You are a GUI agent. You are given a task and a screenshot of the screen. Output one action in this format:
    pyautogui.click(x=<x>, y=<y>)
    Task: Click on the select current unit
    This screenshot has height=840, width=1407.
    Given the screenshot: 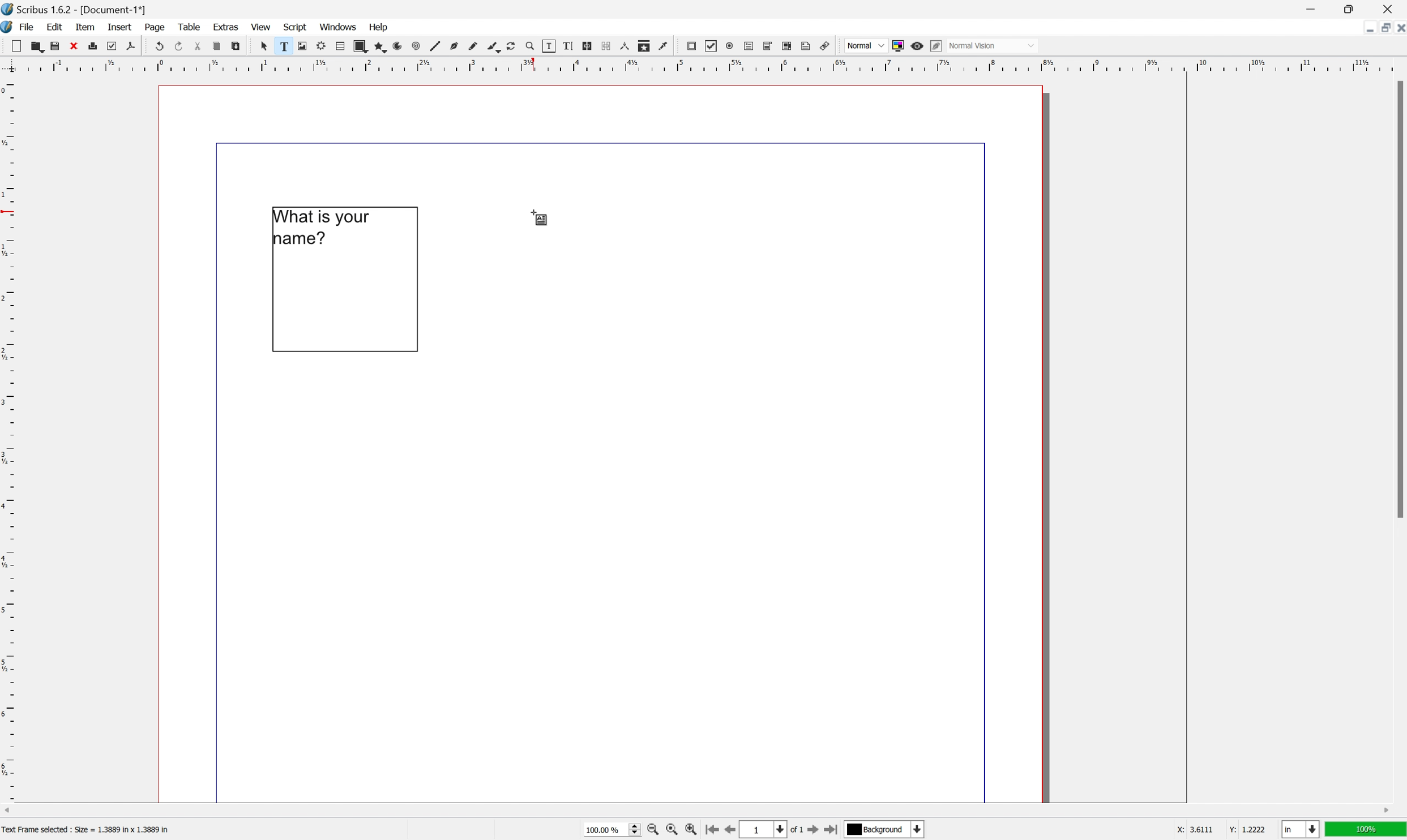 What is the action you would take?
    pyautogui.click(x=1301, y=830)
    